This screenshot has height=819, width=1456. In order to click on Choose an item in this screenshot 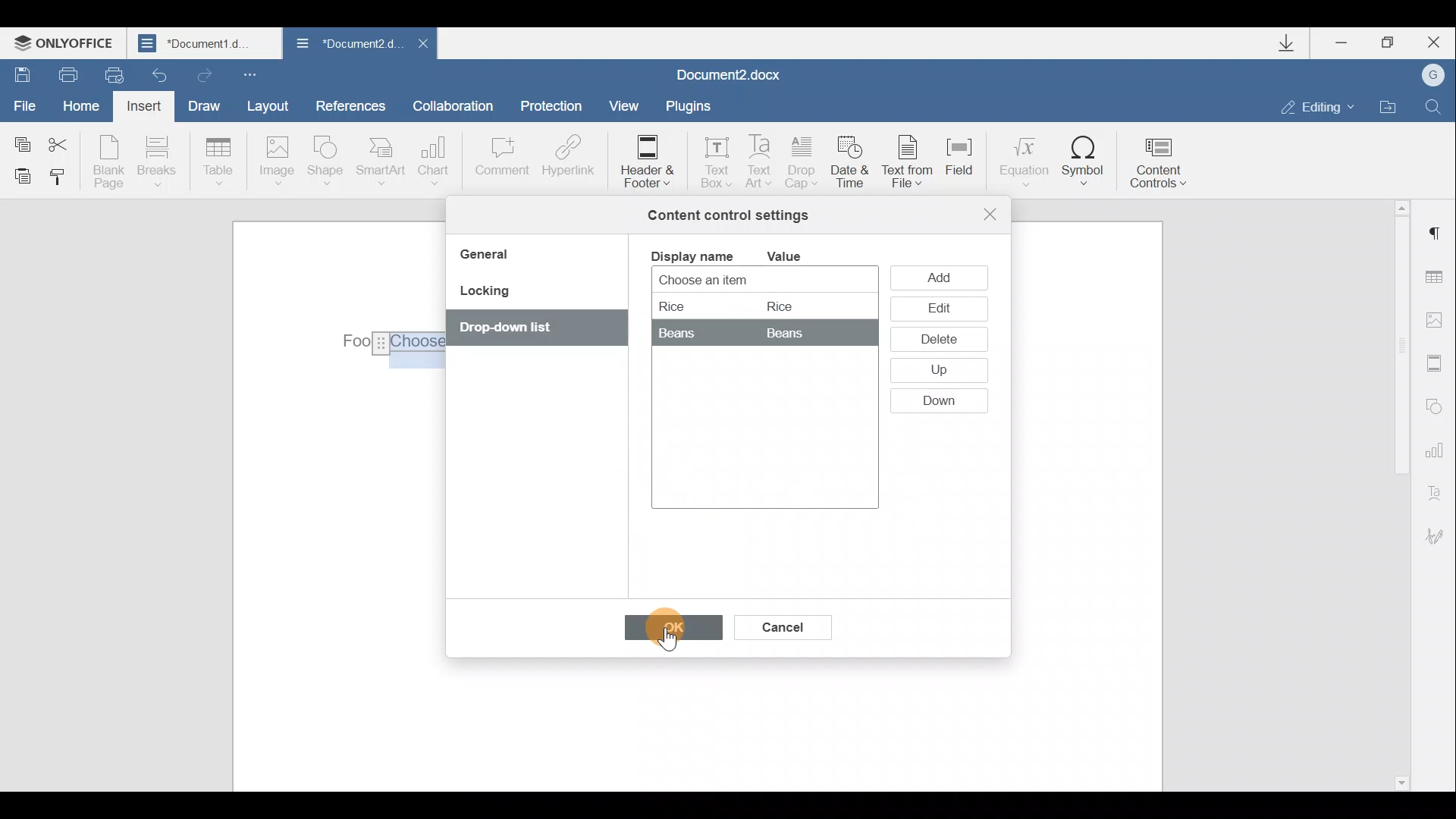, I will do `click(740, 281)`.